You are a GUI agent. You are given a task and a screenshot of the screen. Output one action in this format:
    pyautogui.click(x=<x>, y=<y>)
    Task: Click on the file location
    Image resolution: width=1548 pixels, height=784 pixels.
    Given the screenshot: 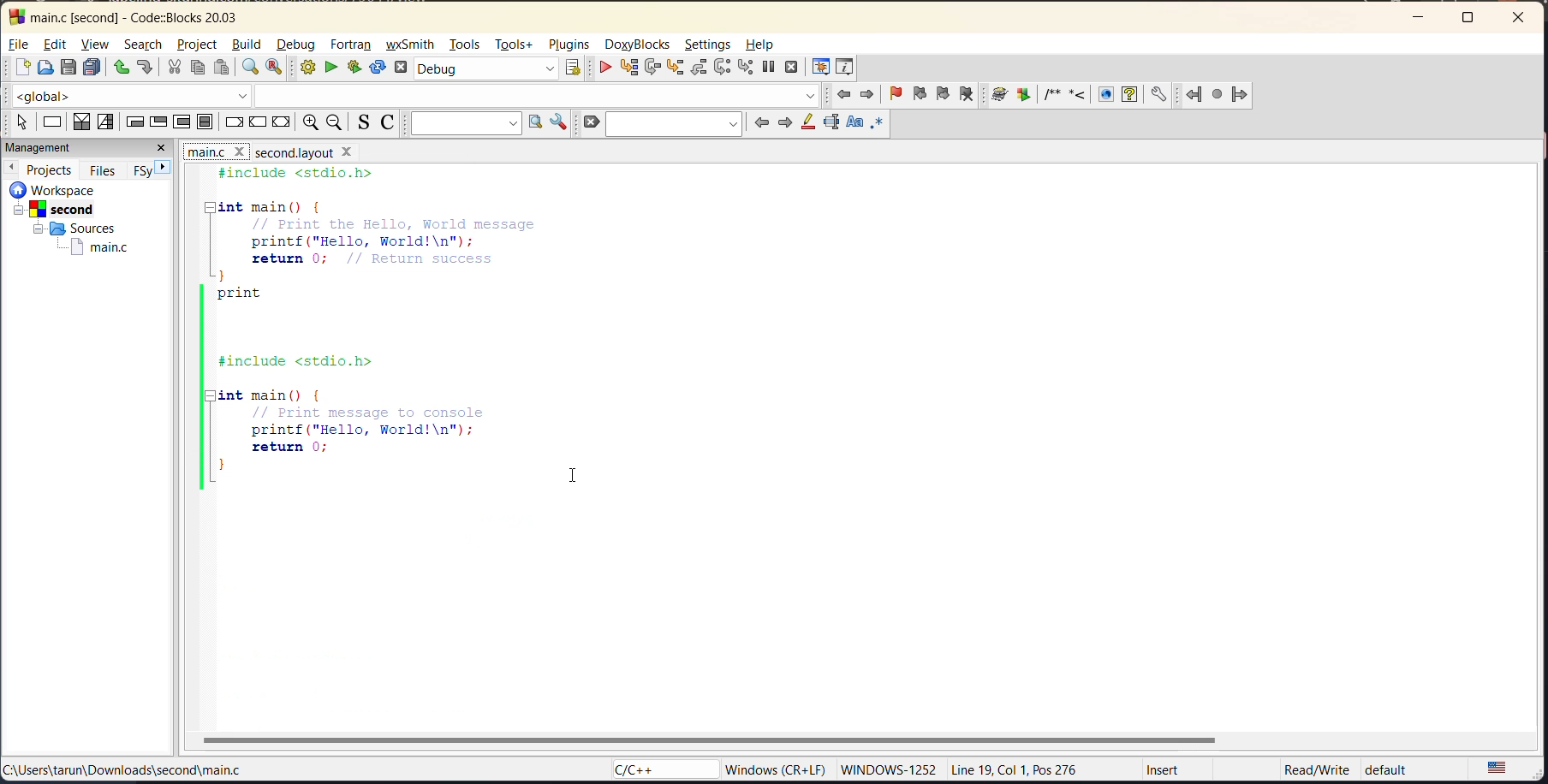 What is the action you would take?
    pyautogui.click(x=120, y=771)
    